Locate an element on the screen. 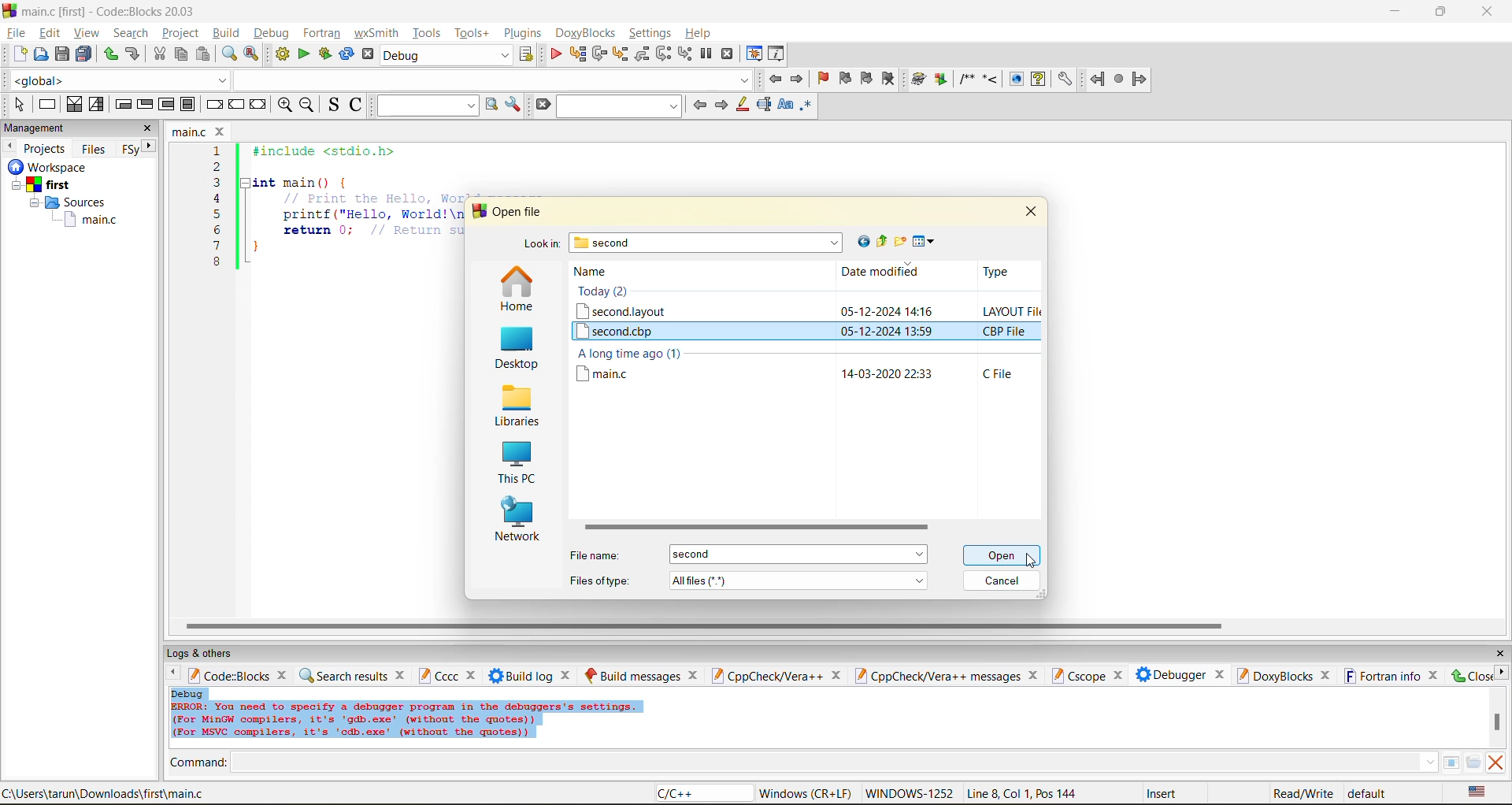 This screenshot has width=1512, height=805. build is located at coordinates (282, 54).